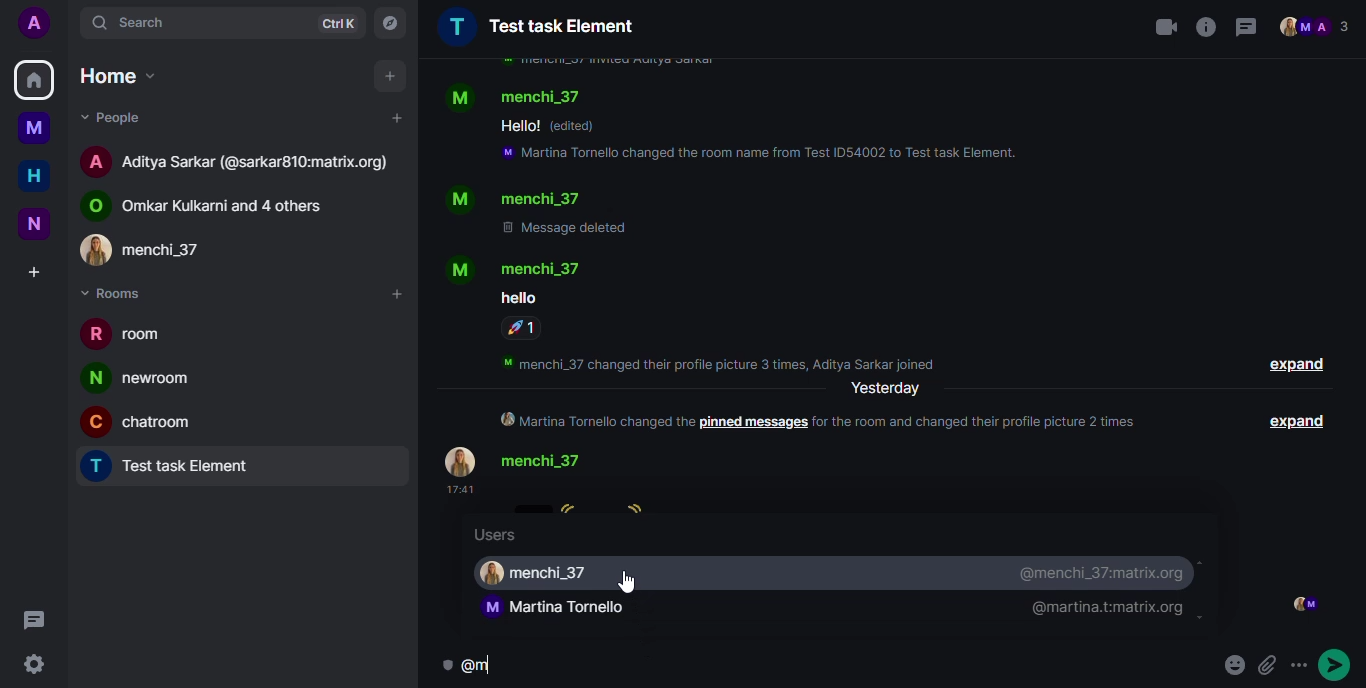  I want to click on search, so click(150, 19).